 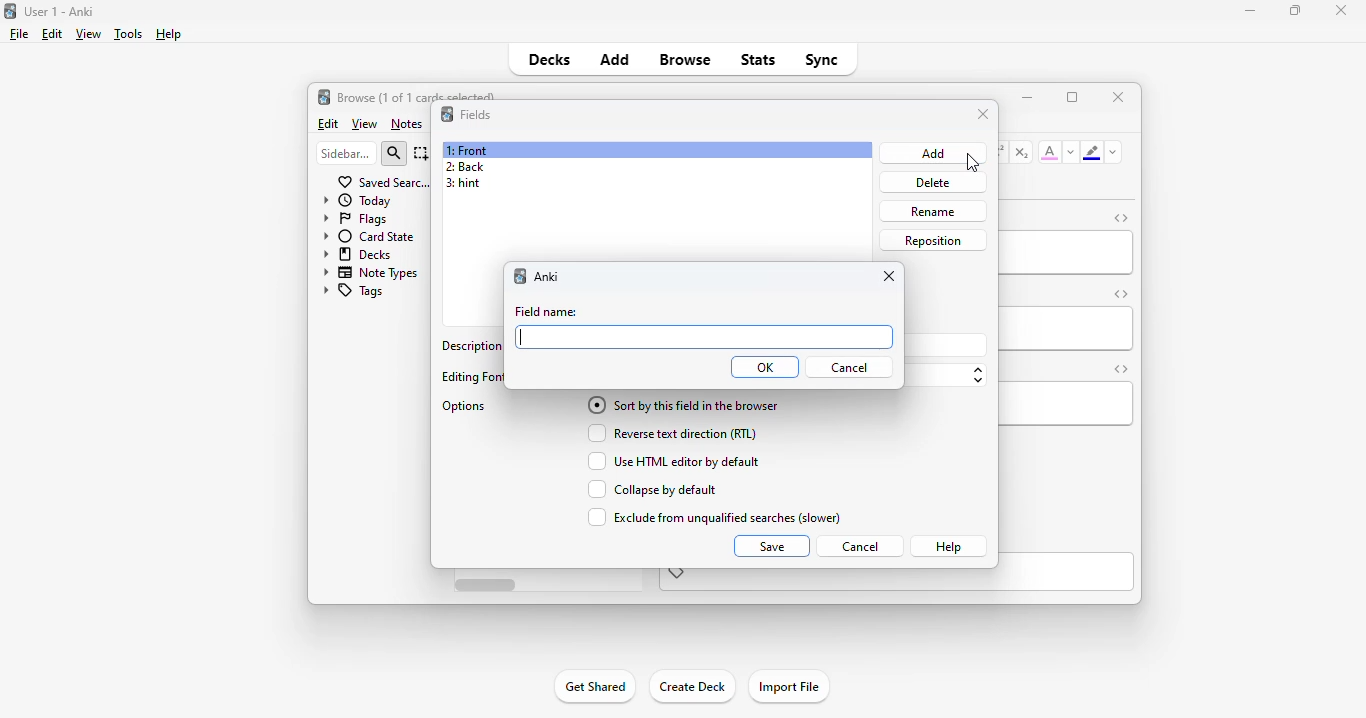 I want to click on view, so click(x=365, y=125).